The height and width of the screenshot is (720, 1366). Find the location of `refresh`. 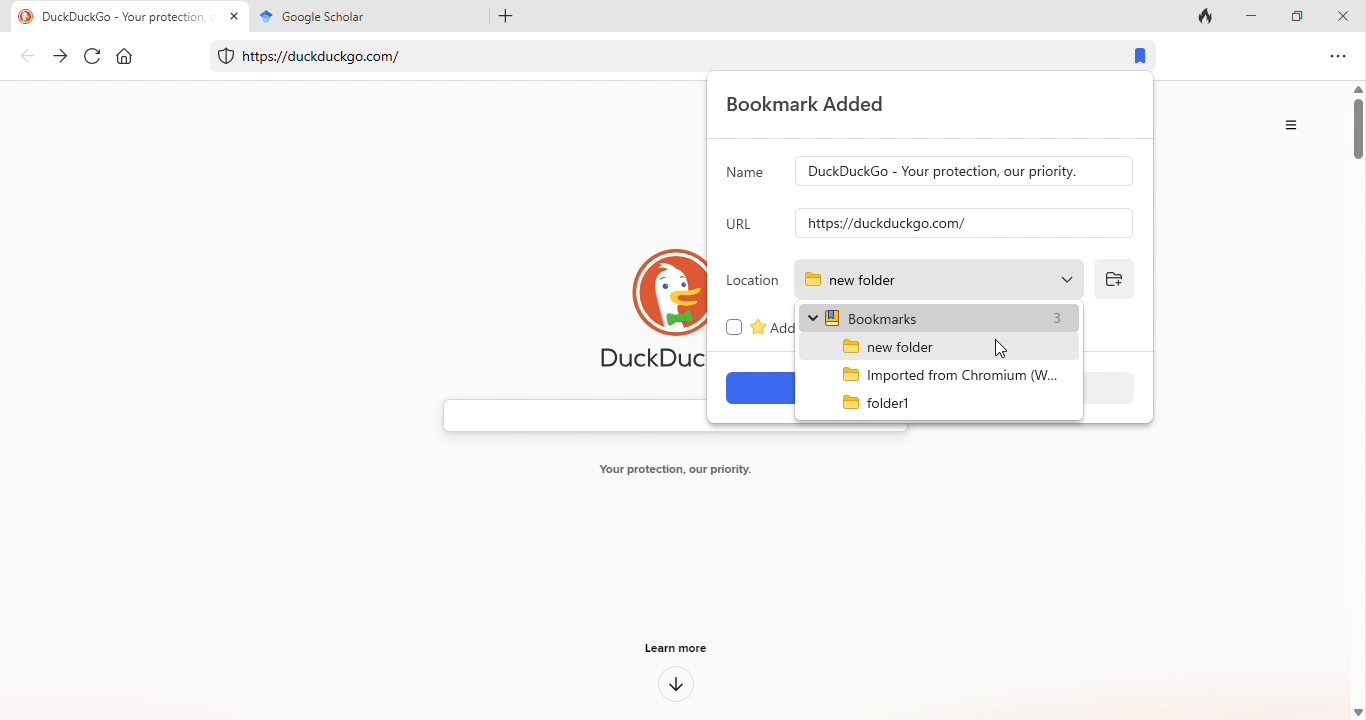

refresh is located at coordinates (94, 57).